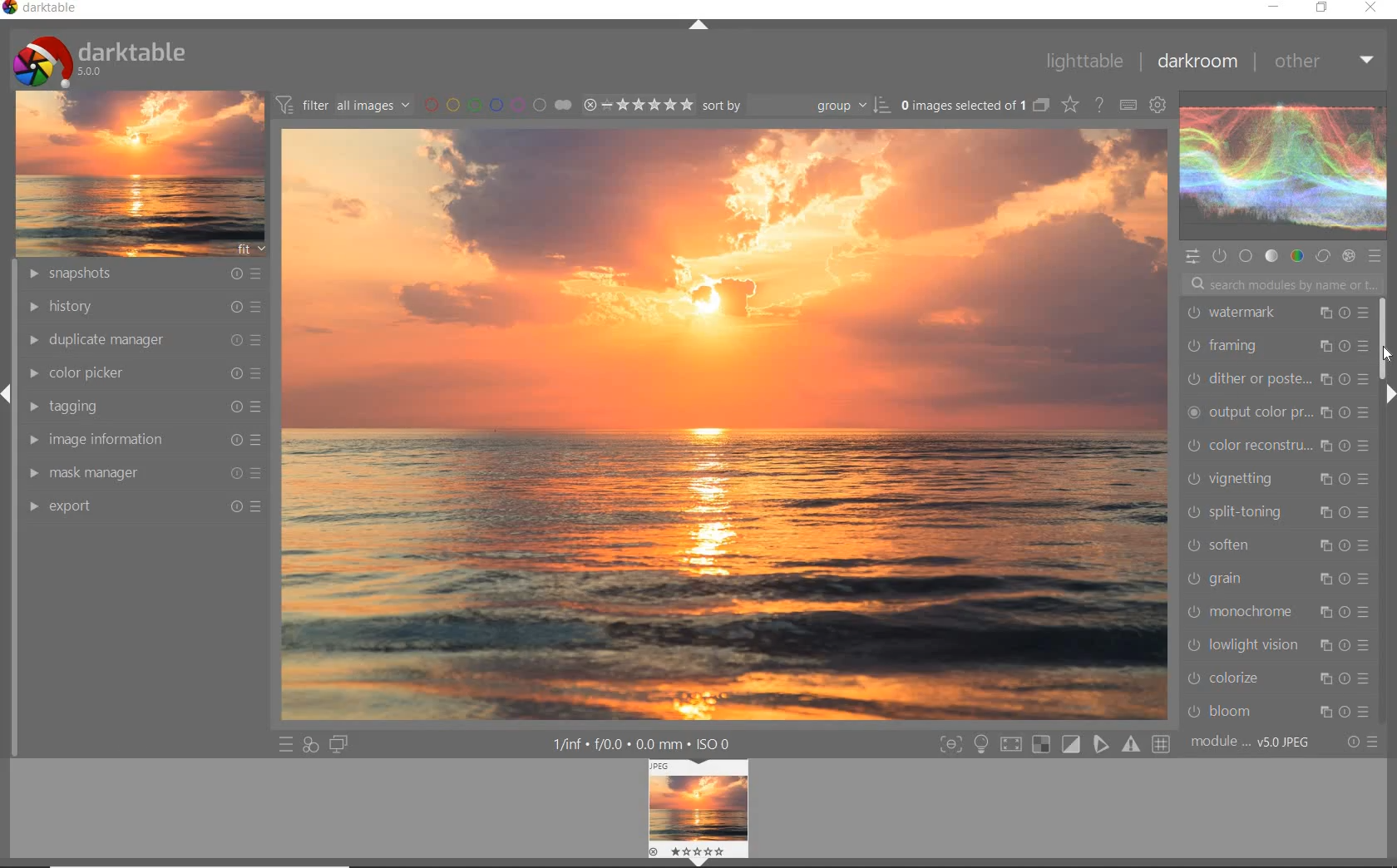  Describe the element at coordinates (1374, 9) in the screenshot. I see `close` at that location.